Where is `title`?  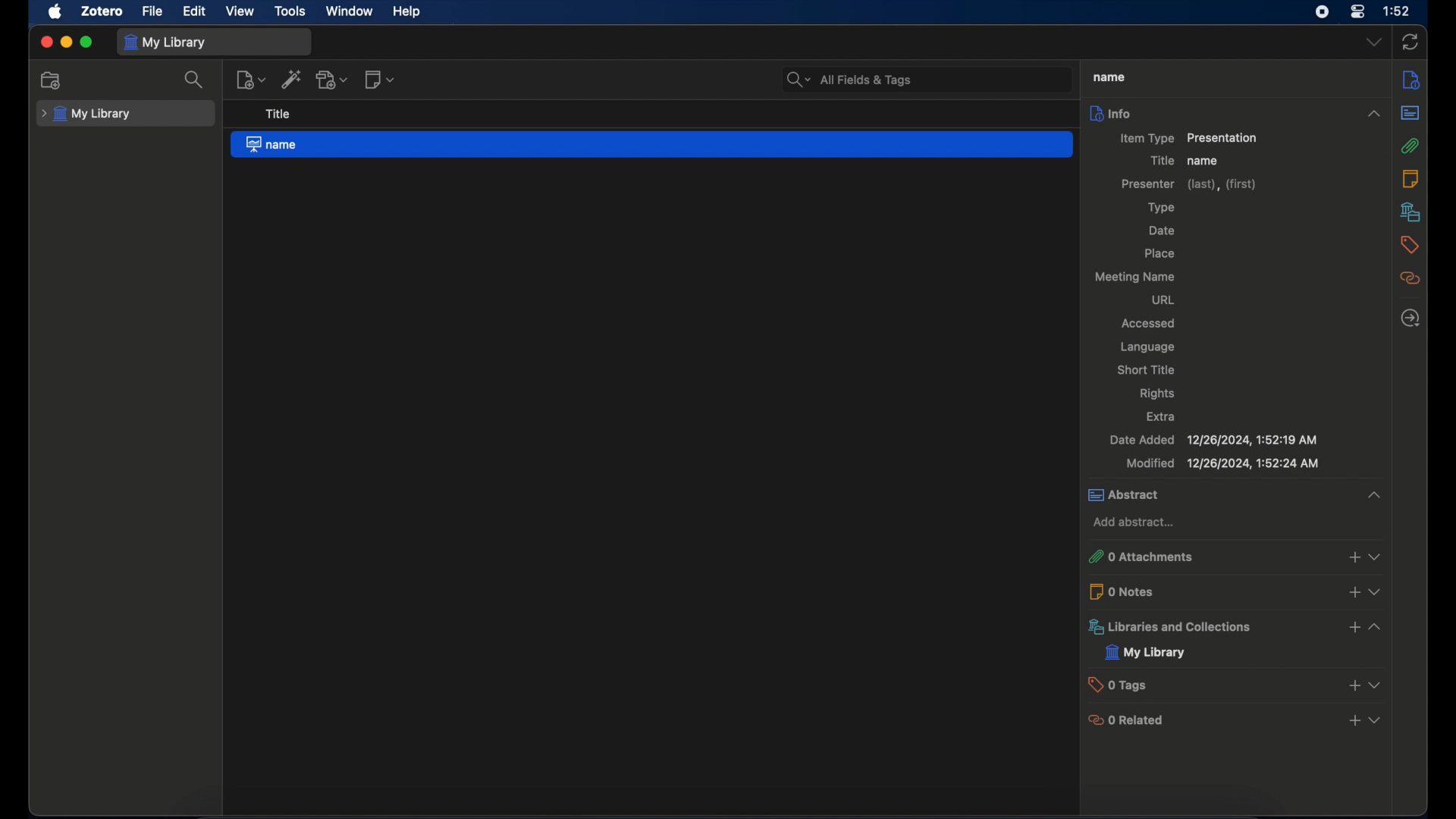
title is located at coordinates (1109, 77).